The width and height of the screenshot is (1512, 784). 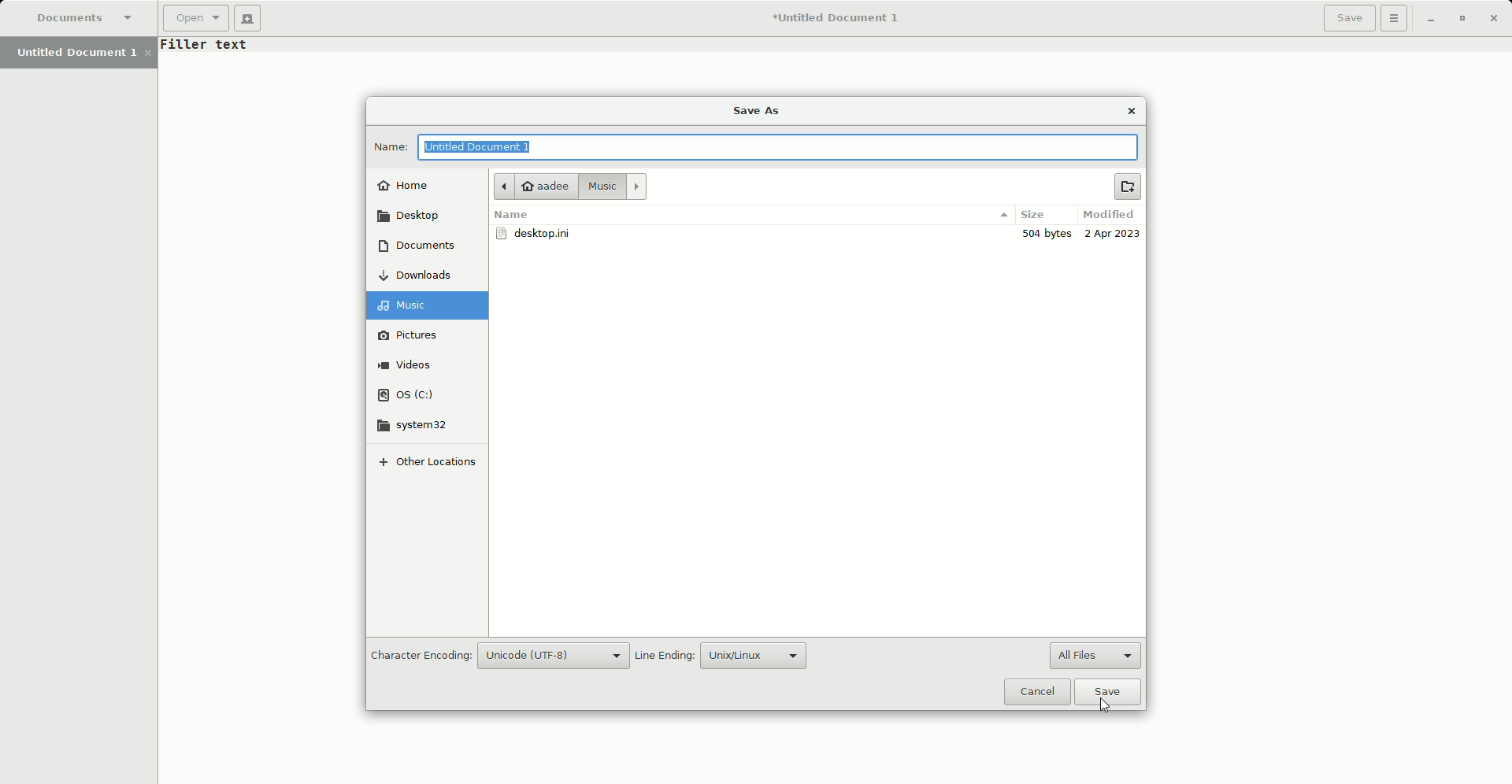 I want to click on cursor, so click(x=1109, y=708).